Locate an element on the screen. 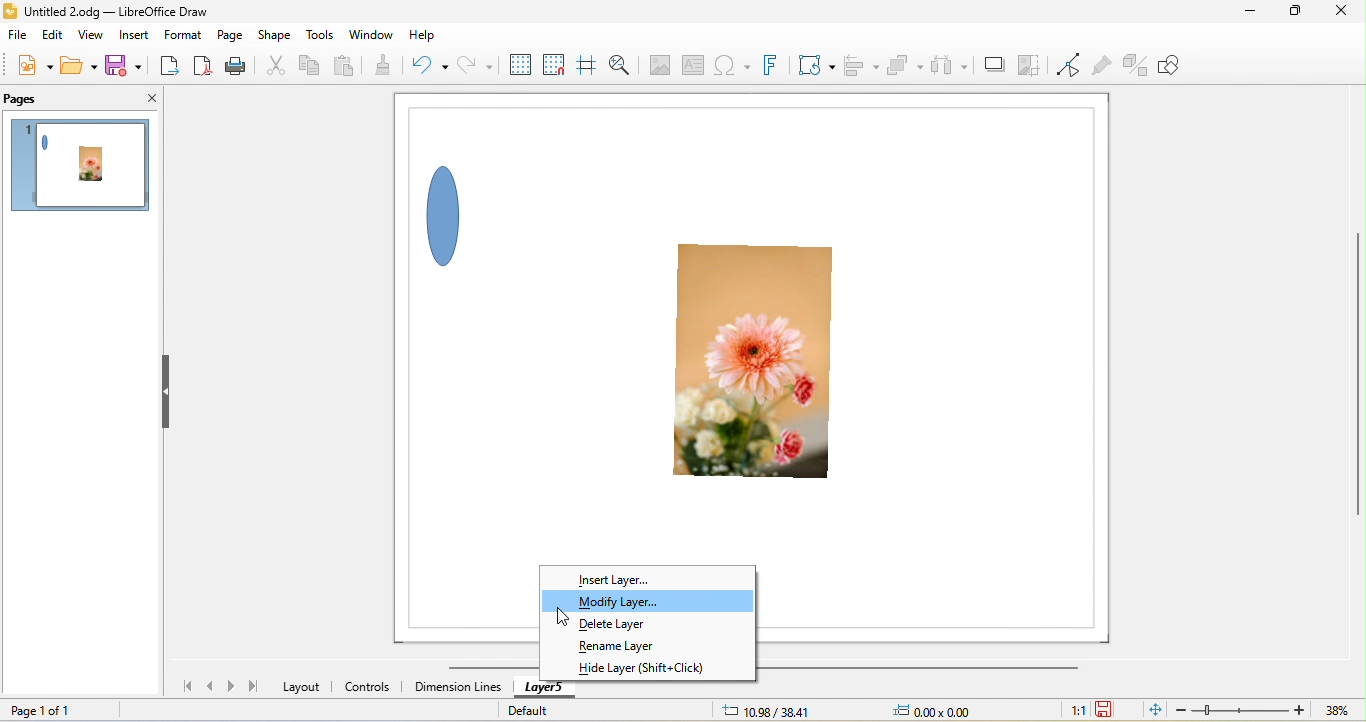 The height and width of the screenshot is (722, 1366). dimension lines is located at coordinates (457, 687).